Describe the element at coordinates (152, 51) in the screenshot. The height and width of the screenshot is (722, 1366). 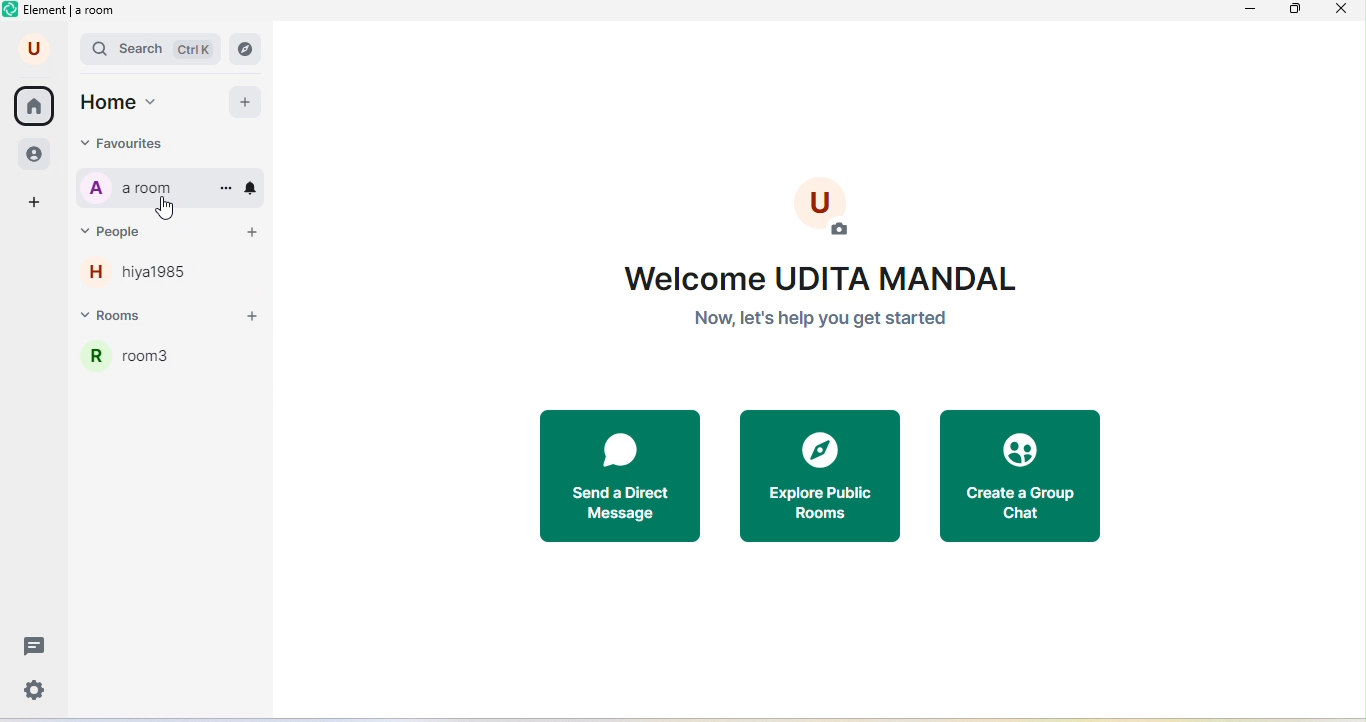
I see `search` at that location.